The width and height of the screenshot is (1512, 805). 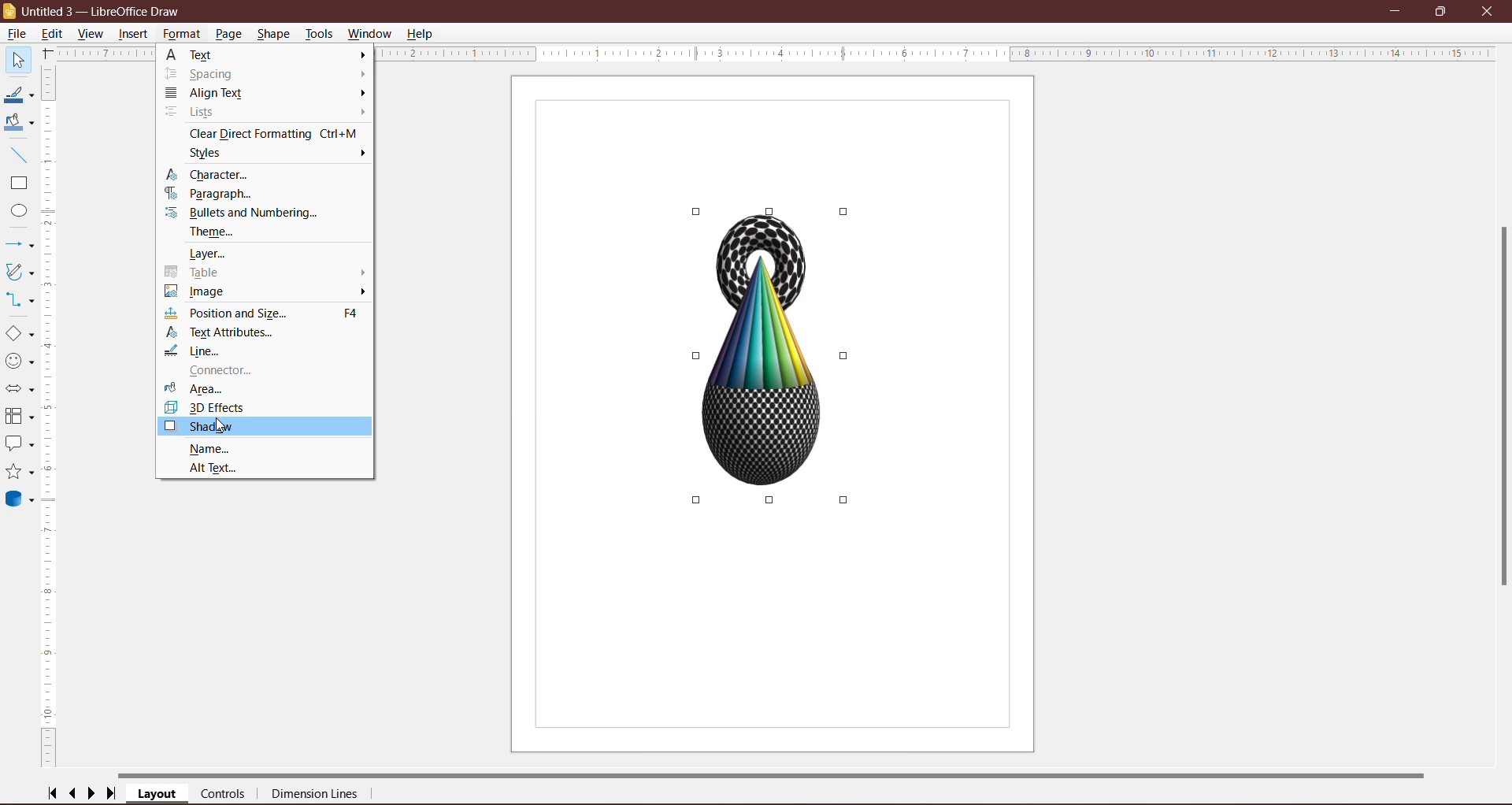 What do you see at coordinates (230, 34) in the screenshot?
I see `Page` at bounding box center [230, 34].